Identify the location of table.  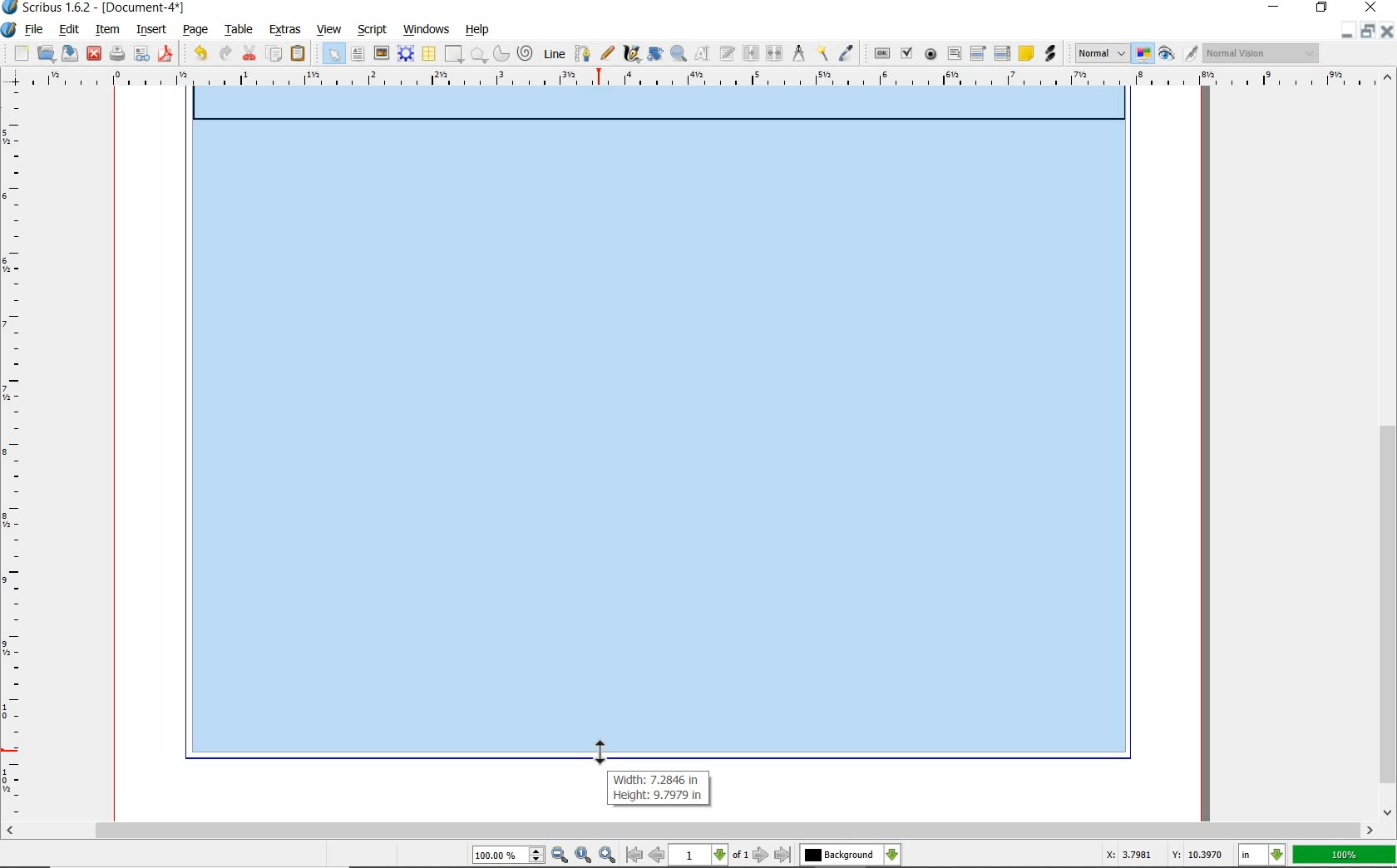
(239, 30).